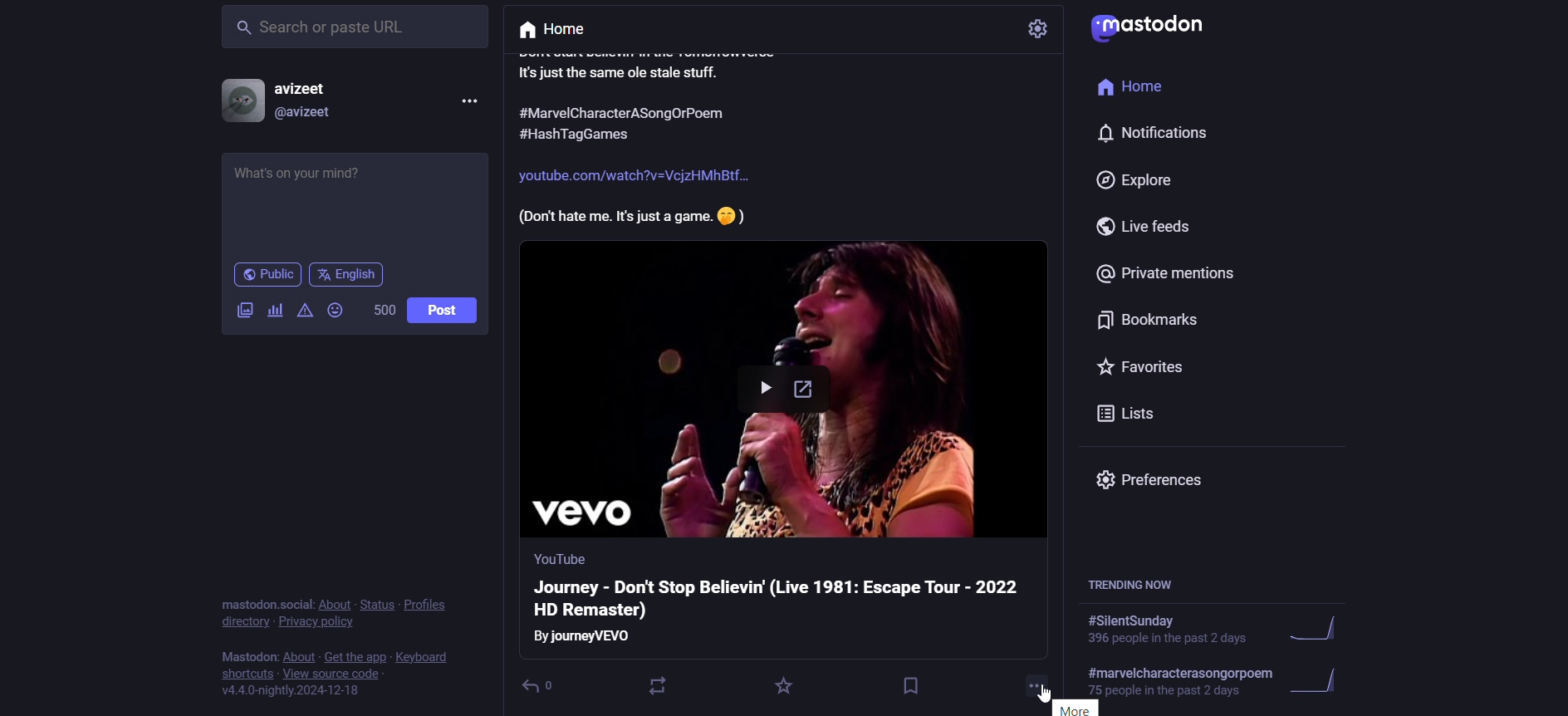  Describe the element at coordinates (292, 692) in the screenshot. I see `version` at that location.